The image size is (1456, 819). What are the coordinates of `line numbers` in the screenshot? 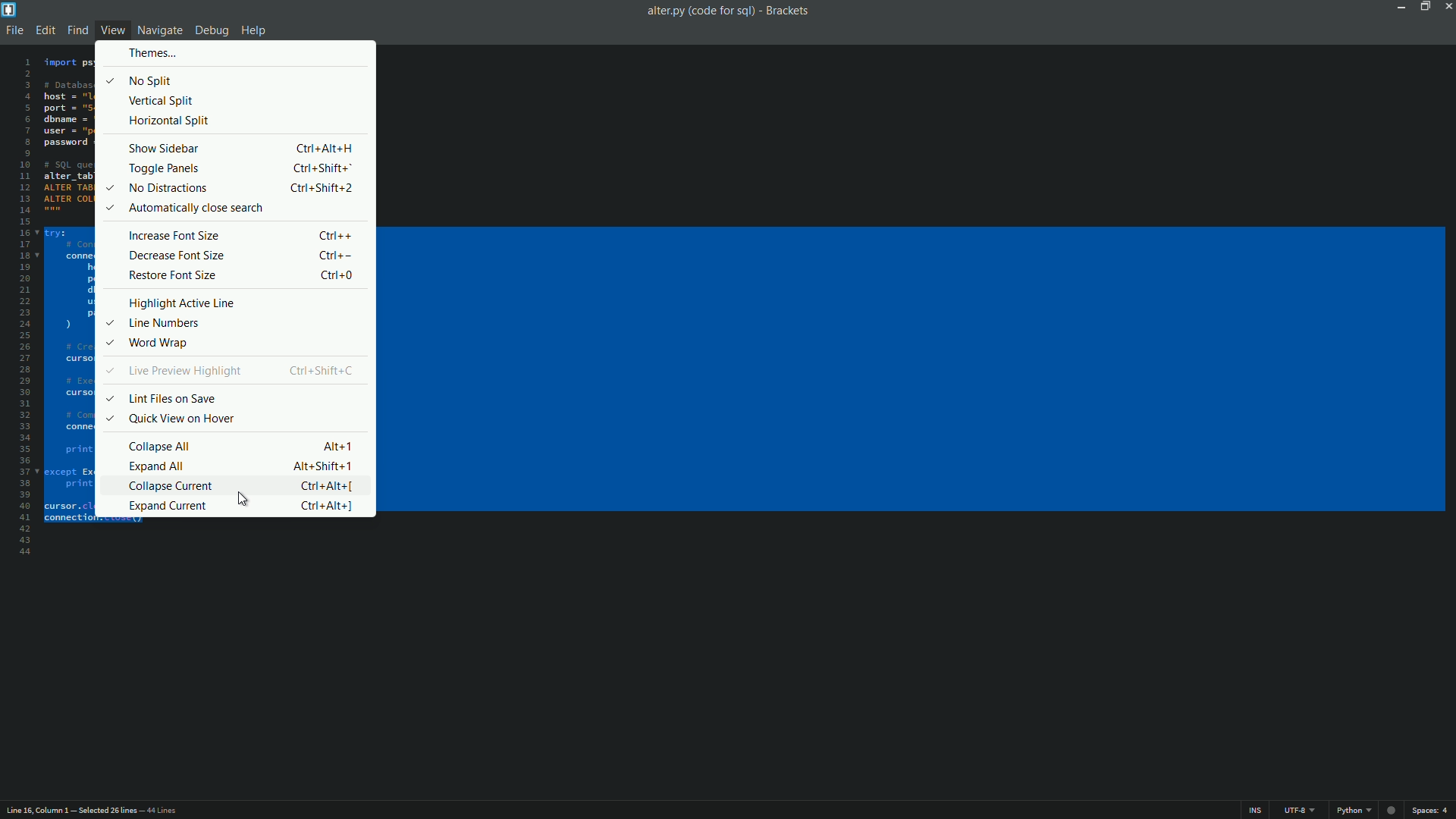 It's located at (170, 323).